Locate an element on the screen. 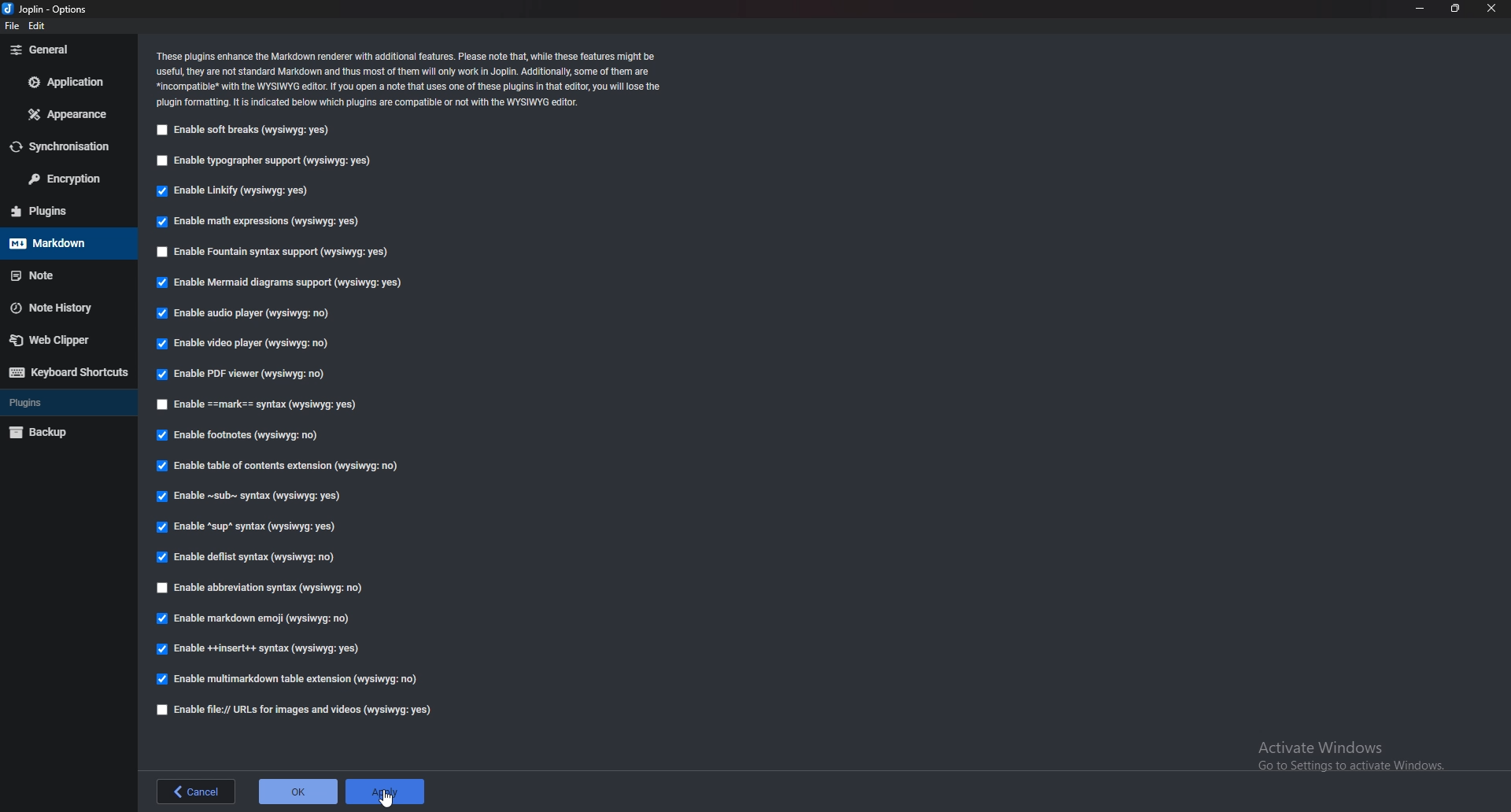  enable Markdown Emoji is located at coordinates (256, 619).